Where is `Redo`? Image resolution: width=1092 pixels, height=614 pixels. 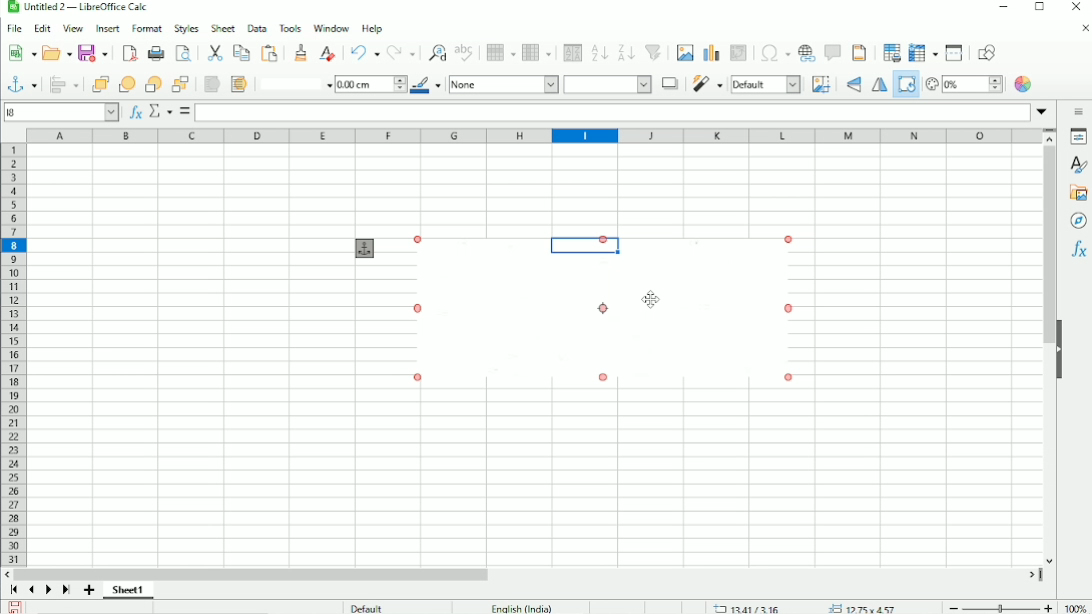 Redo is located at coordinates (401, 53).